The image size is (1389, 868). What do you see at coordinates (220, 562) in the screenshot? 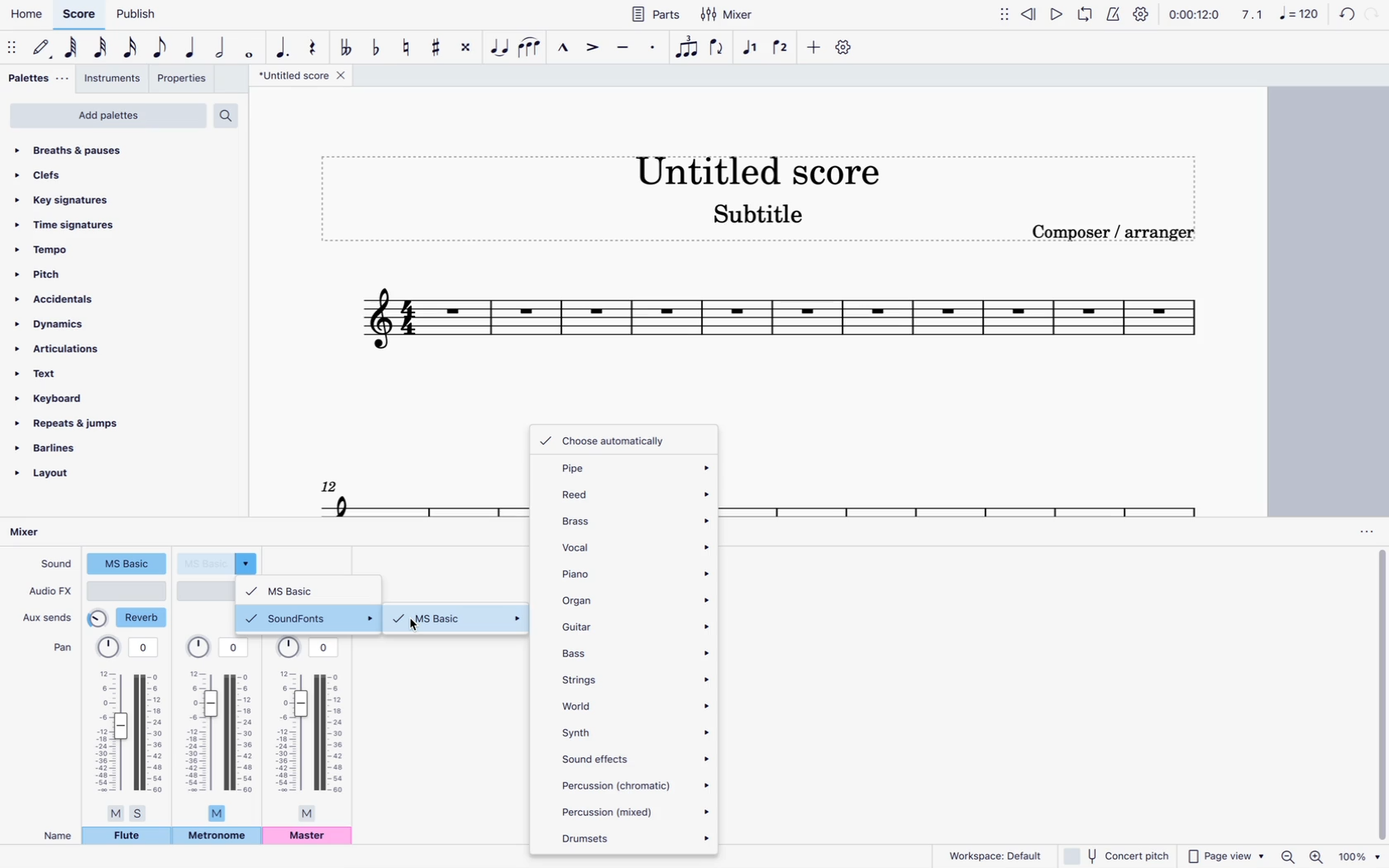
I see `sound type` at bounding box center [220, 562].